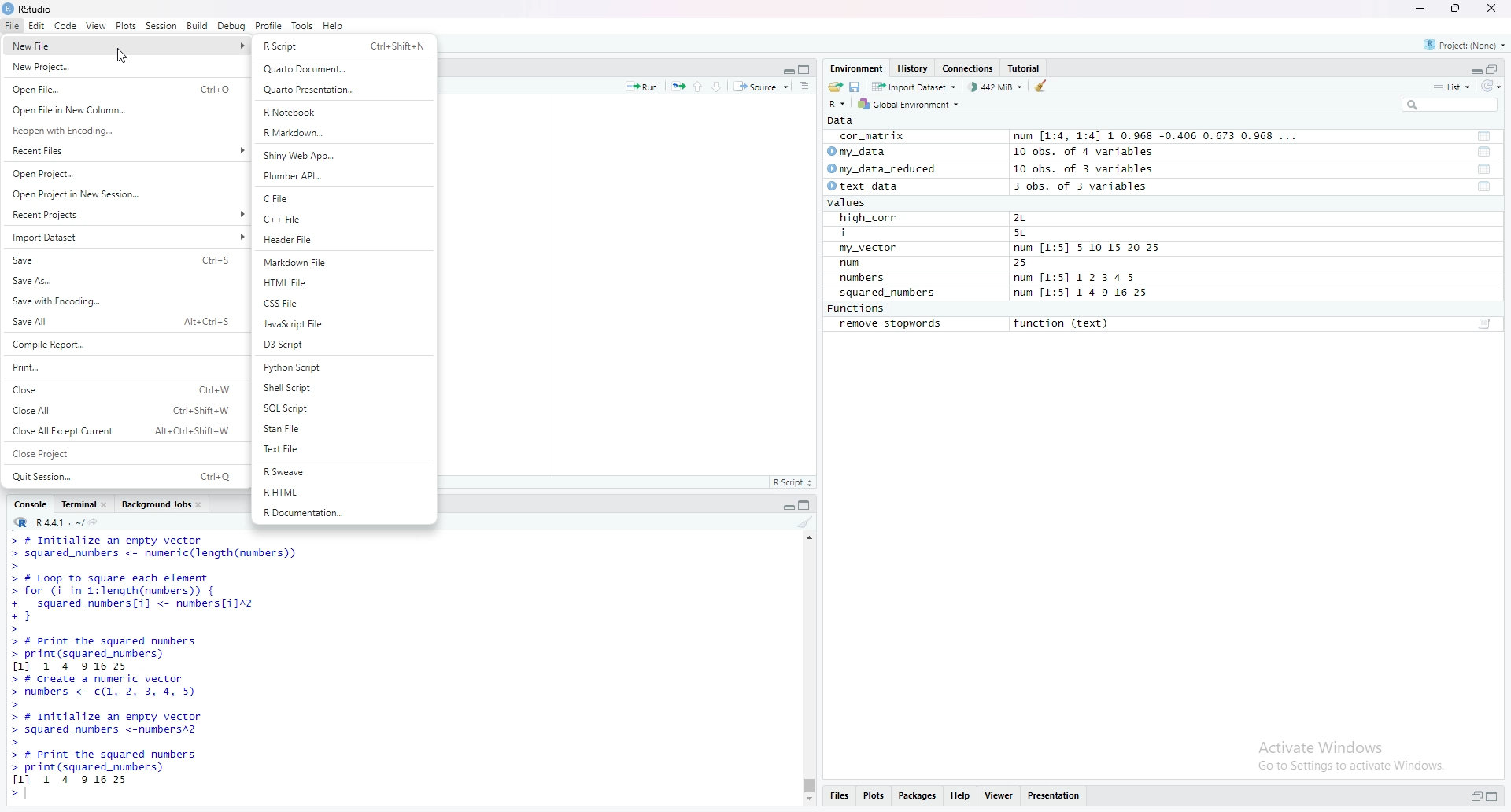  I want to click on Shell Script, so click(342, 387).